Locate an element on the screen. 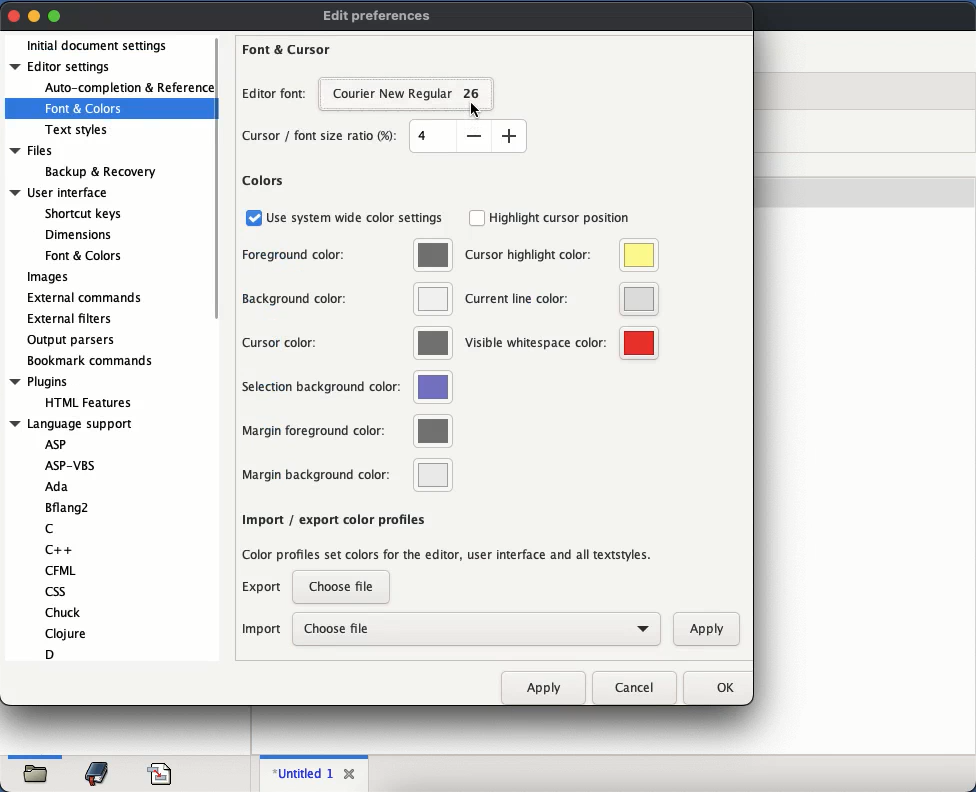 Image resolution: width=976 pixels, height=792 pixels. color is located at coordinates (433, 386).